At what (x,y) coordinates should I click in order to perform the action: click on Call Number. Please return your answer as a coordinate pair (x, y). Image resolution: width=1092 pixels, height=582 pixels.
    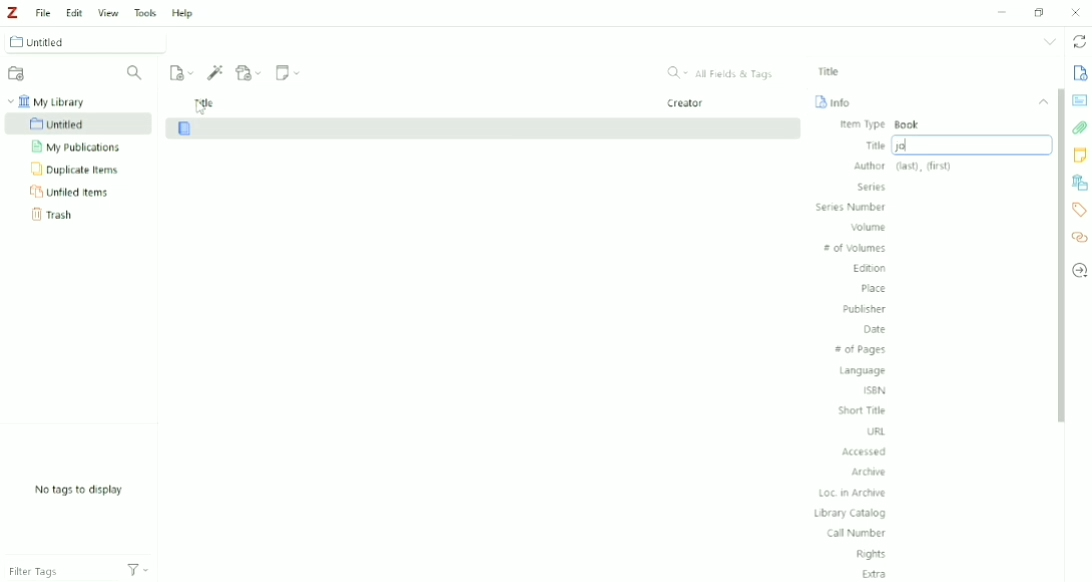
    Looking at the image, I should click on (857, 534).